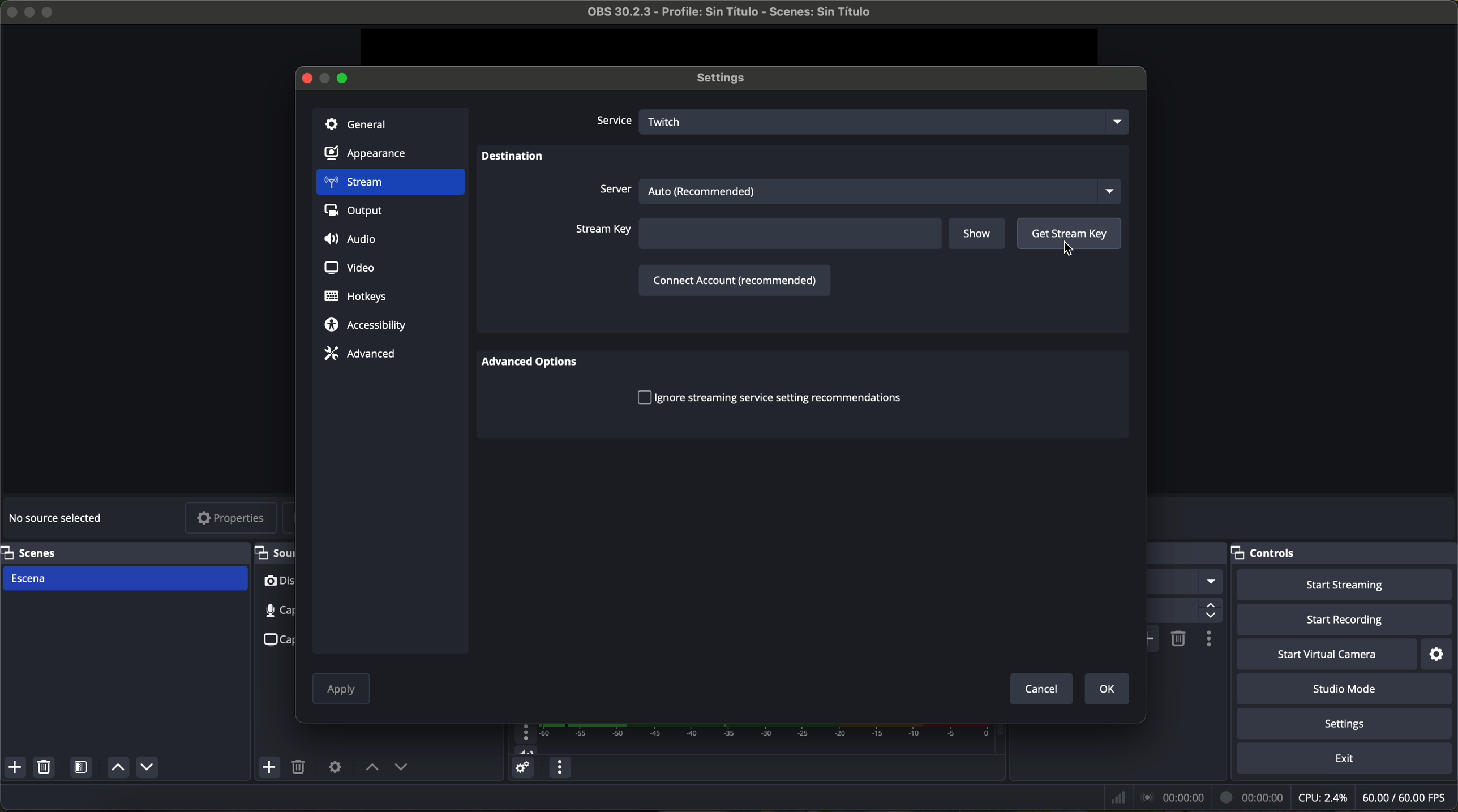 The image size is (1458, 812). Describe the element at coordinates (769, 397) in the screenshot. I see `ignore streaming service setting recommendations` at that location.